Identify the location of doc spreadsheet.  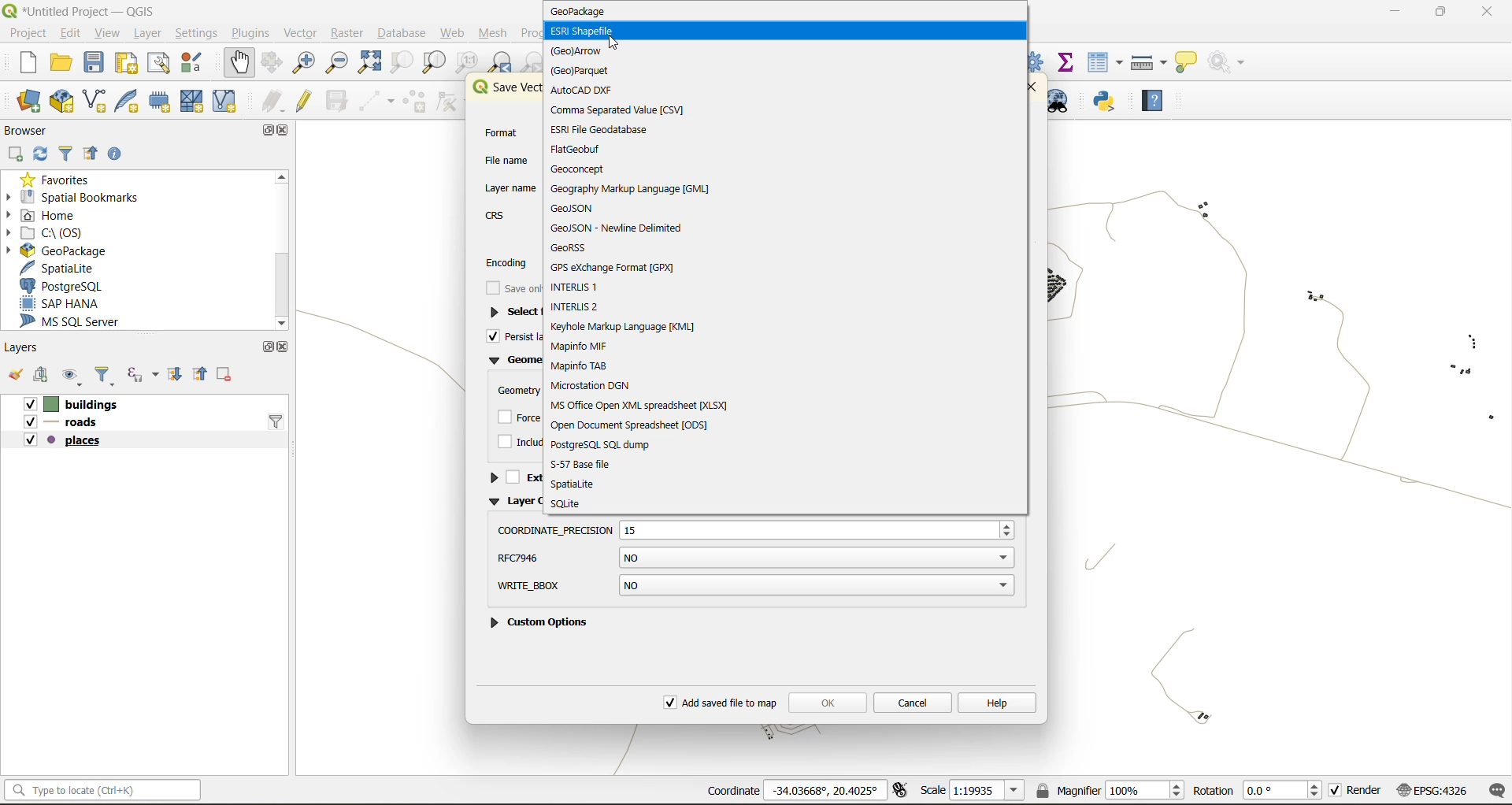
(632, 426).